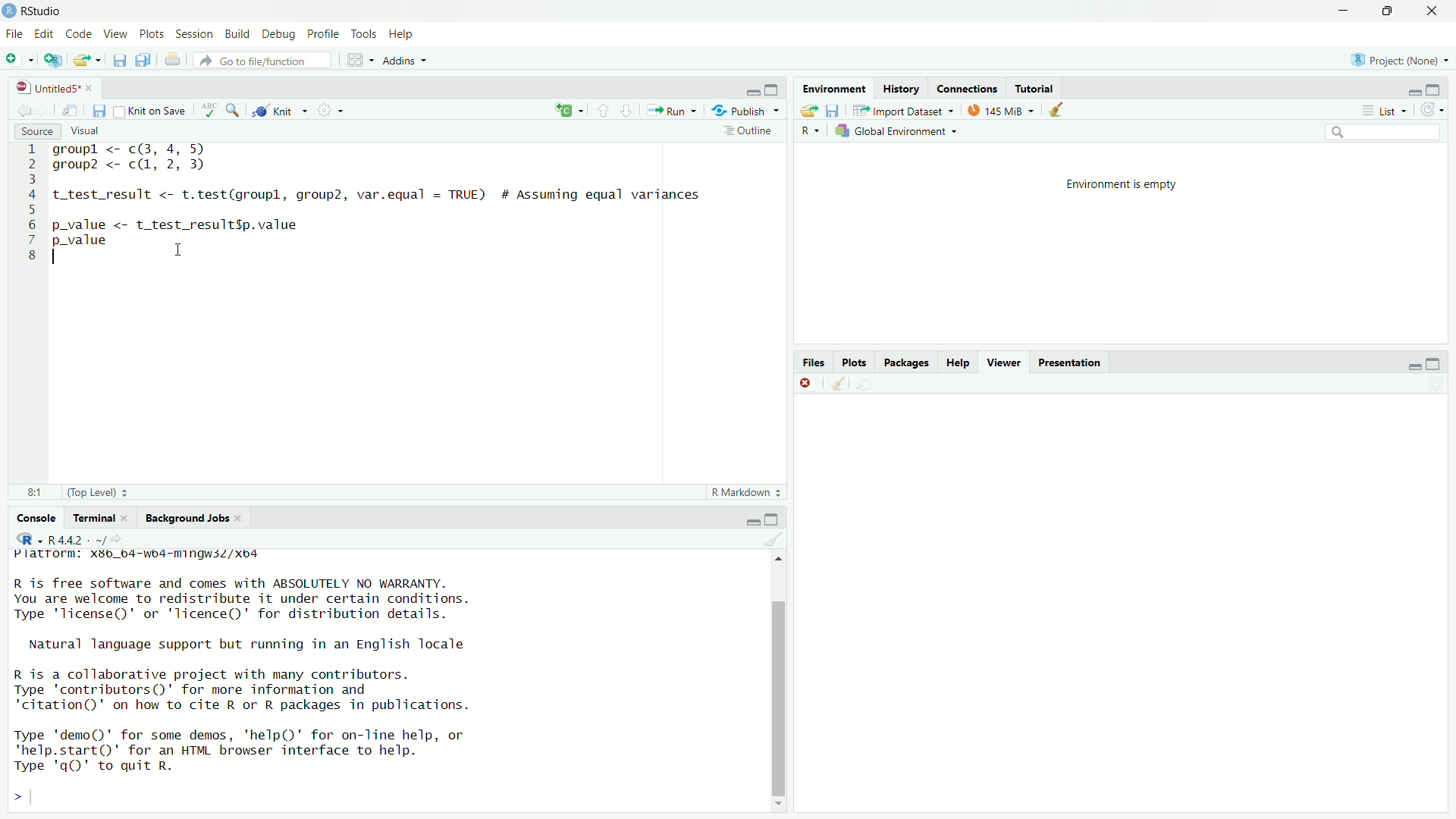 This screenshot has height=819, width=1456. What do you see at coordinates (753, 91) in the screenshot?
I see `minimise` at bounding box center [753, 91].